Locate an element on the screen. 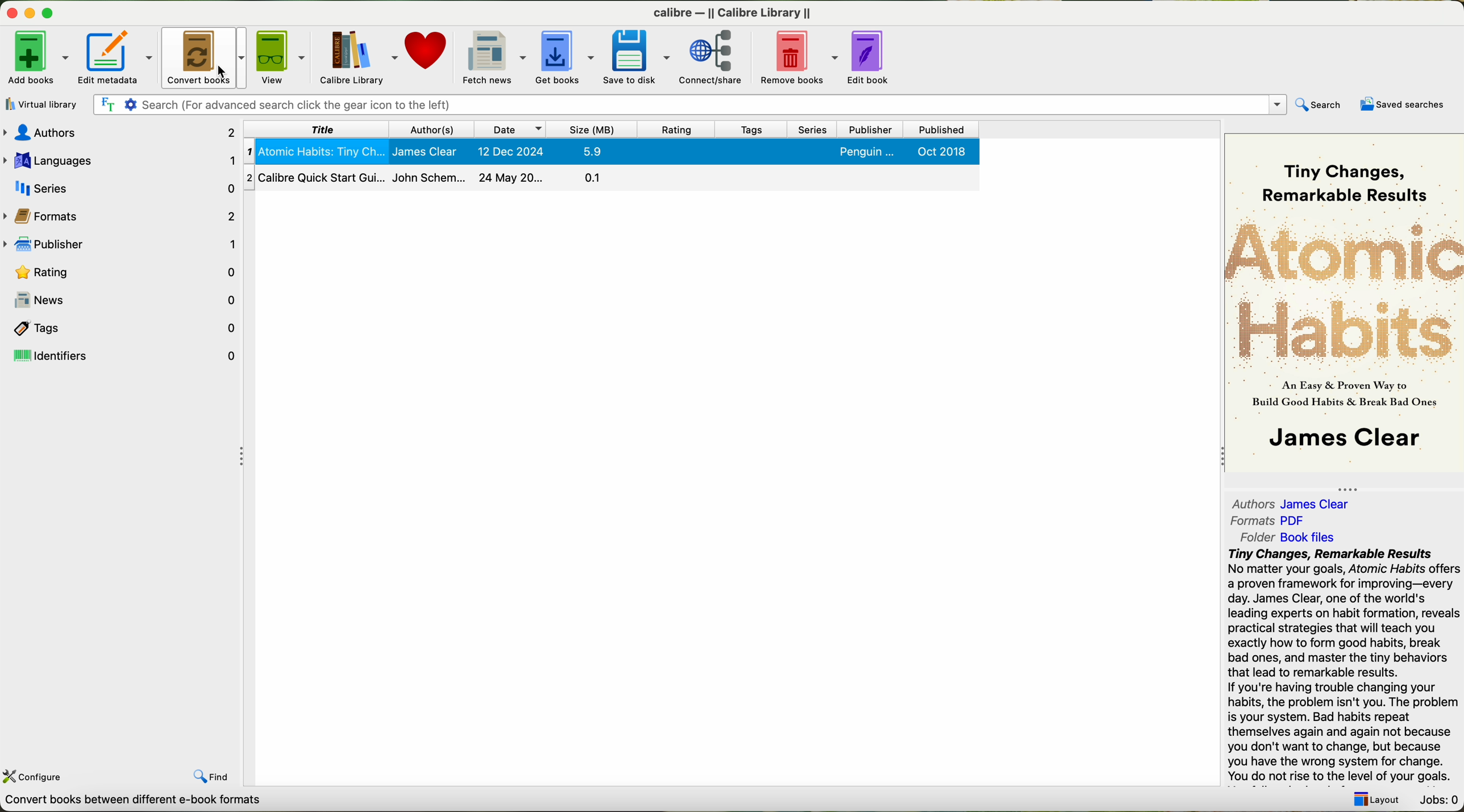 Image resolution: width=1464 pixels, height=812 pixels. Jobs: 0 is located at coordinates (1440, 801).